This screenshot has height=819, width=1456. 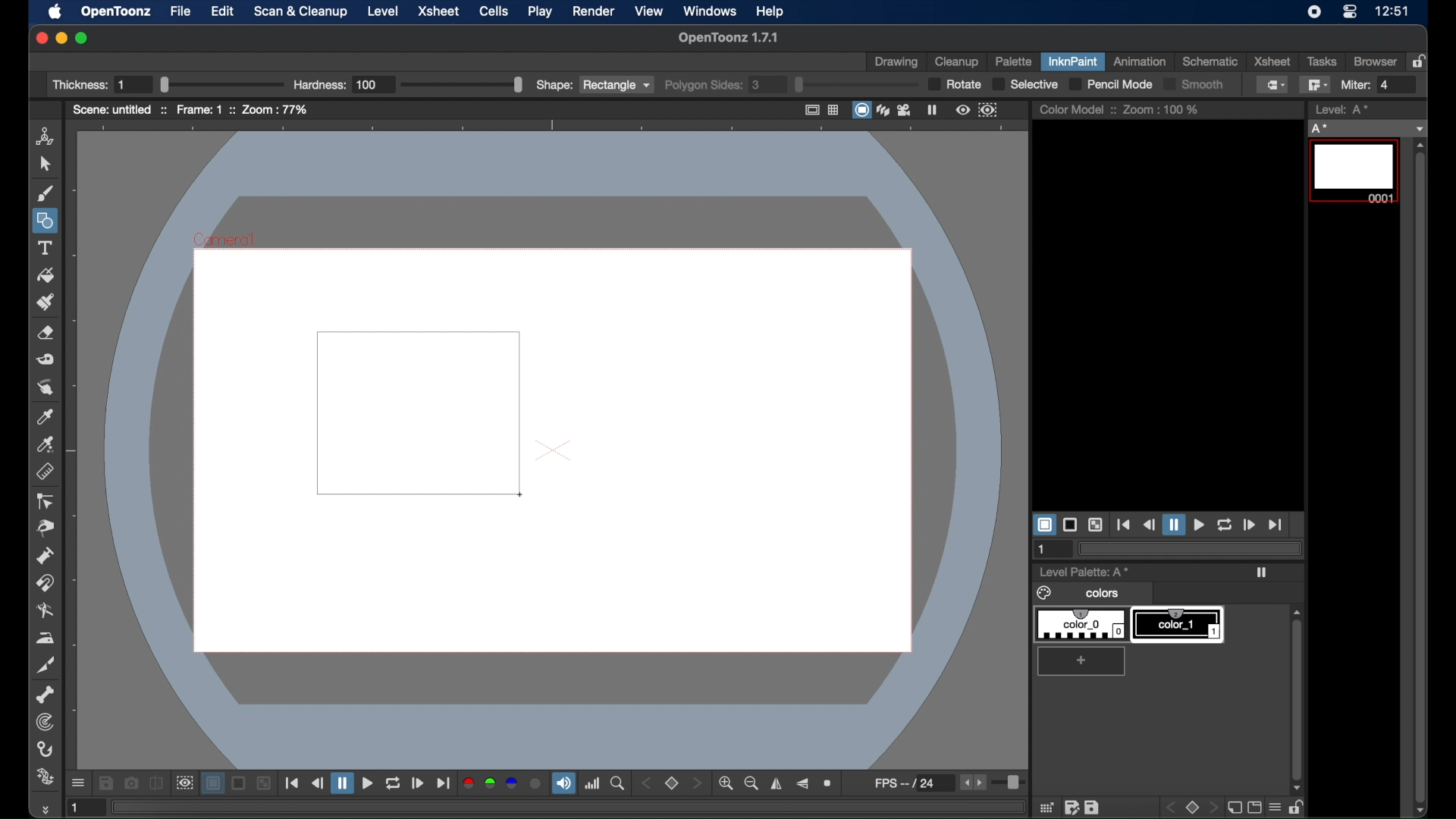 What do you see at coordinates (518, 495) in the screenshot?
I see `cursor` at bounding box center [518, 495].